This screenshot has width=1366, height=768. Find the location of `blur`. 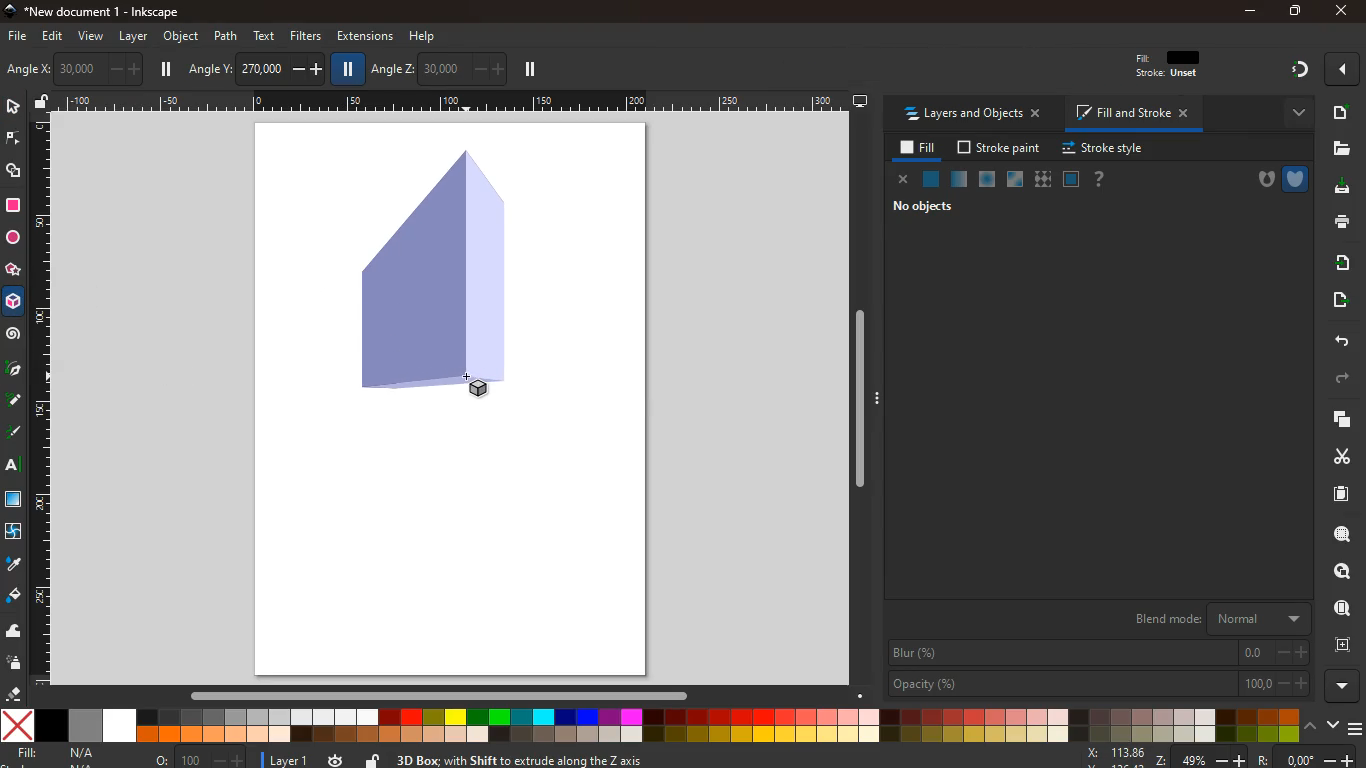

blur is located at coordinates (1098, 653).